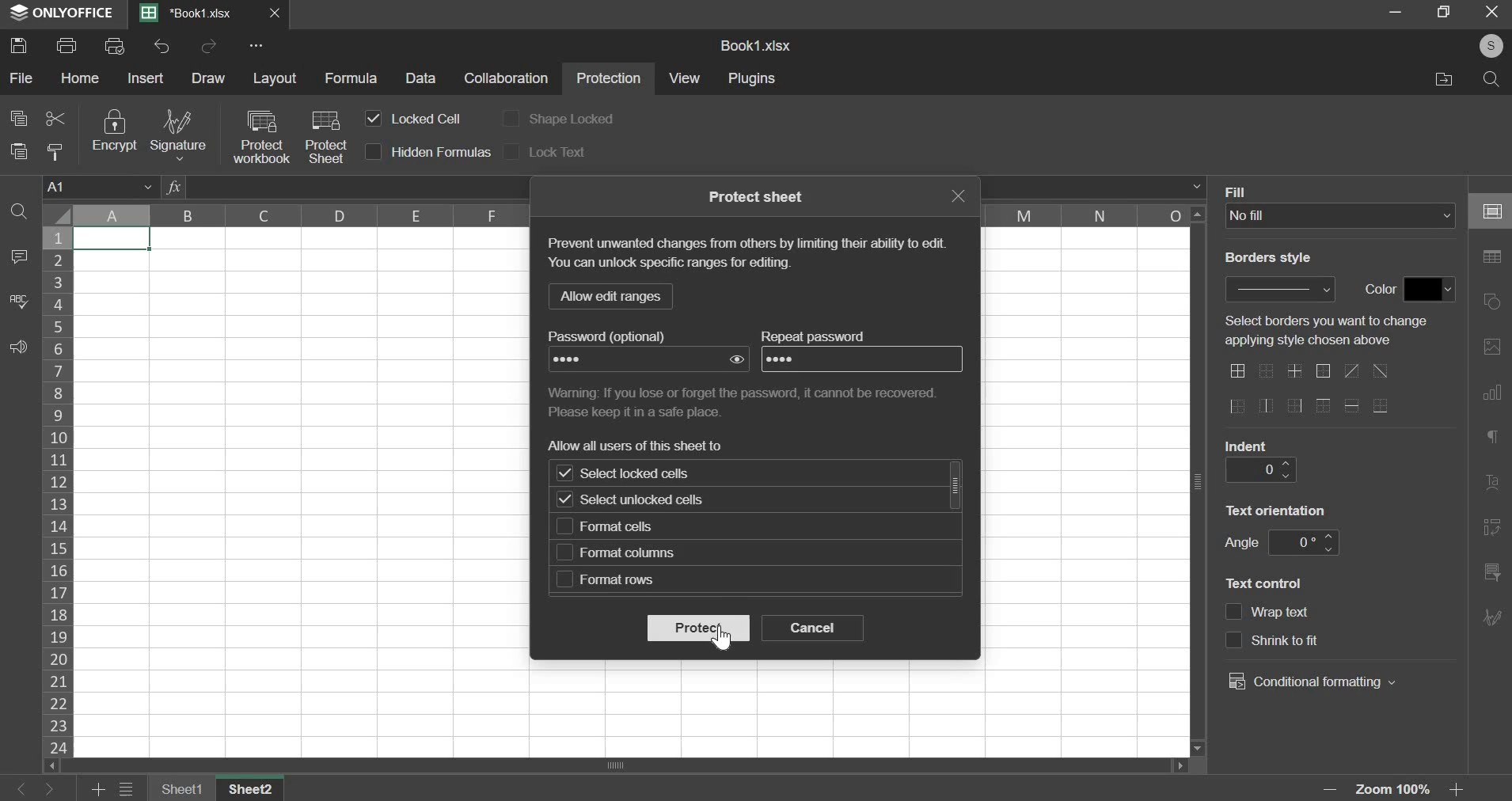 This screenshot has height=801, width=1512. Describe the element at coordinates (758, 47) in the screenshot. I see `Book1.xlsx` at that location.